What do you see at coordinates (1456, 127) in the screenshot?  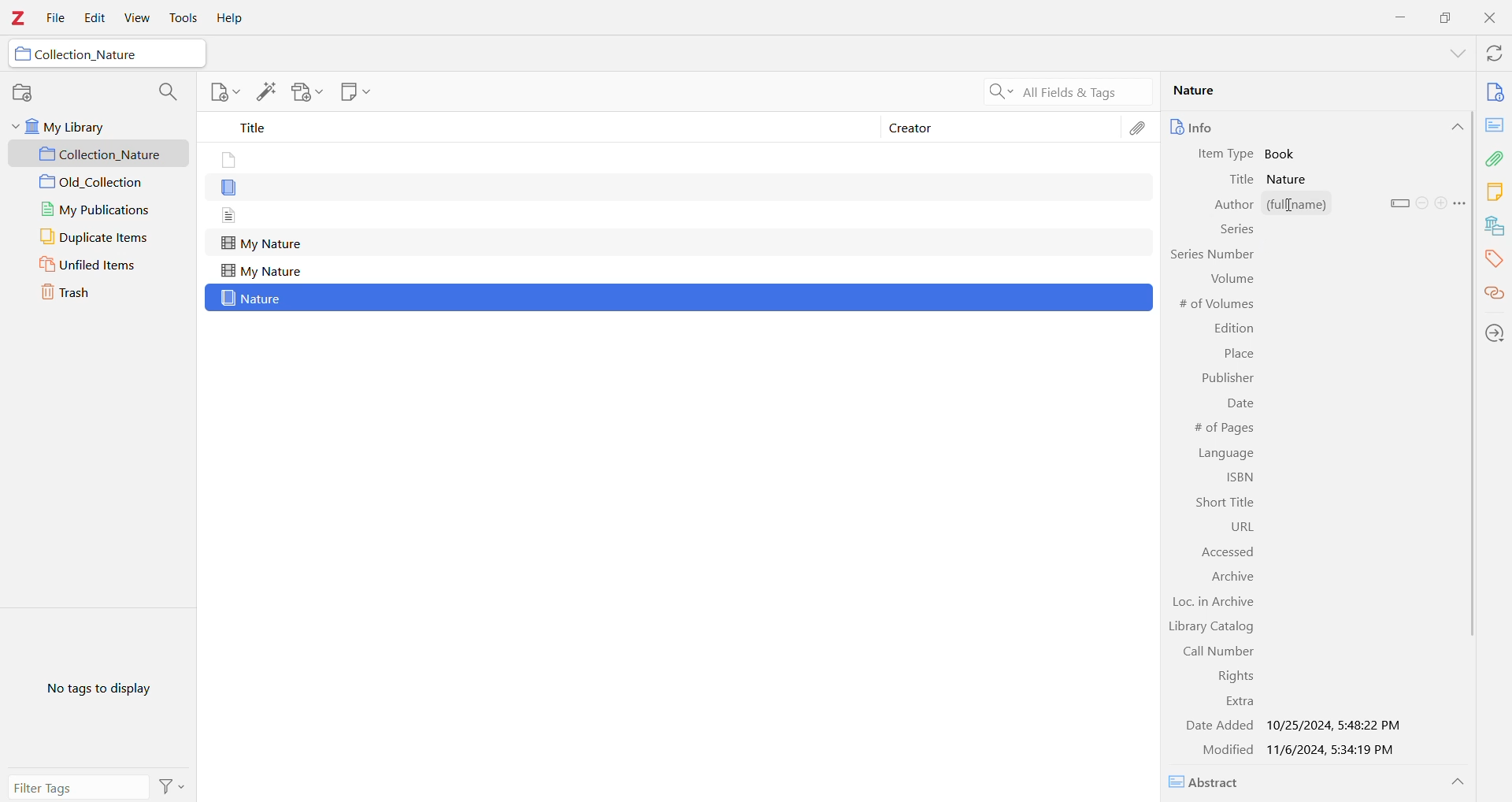 I see `Collapse Section` at bounding box center [1456, 127].